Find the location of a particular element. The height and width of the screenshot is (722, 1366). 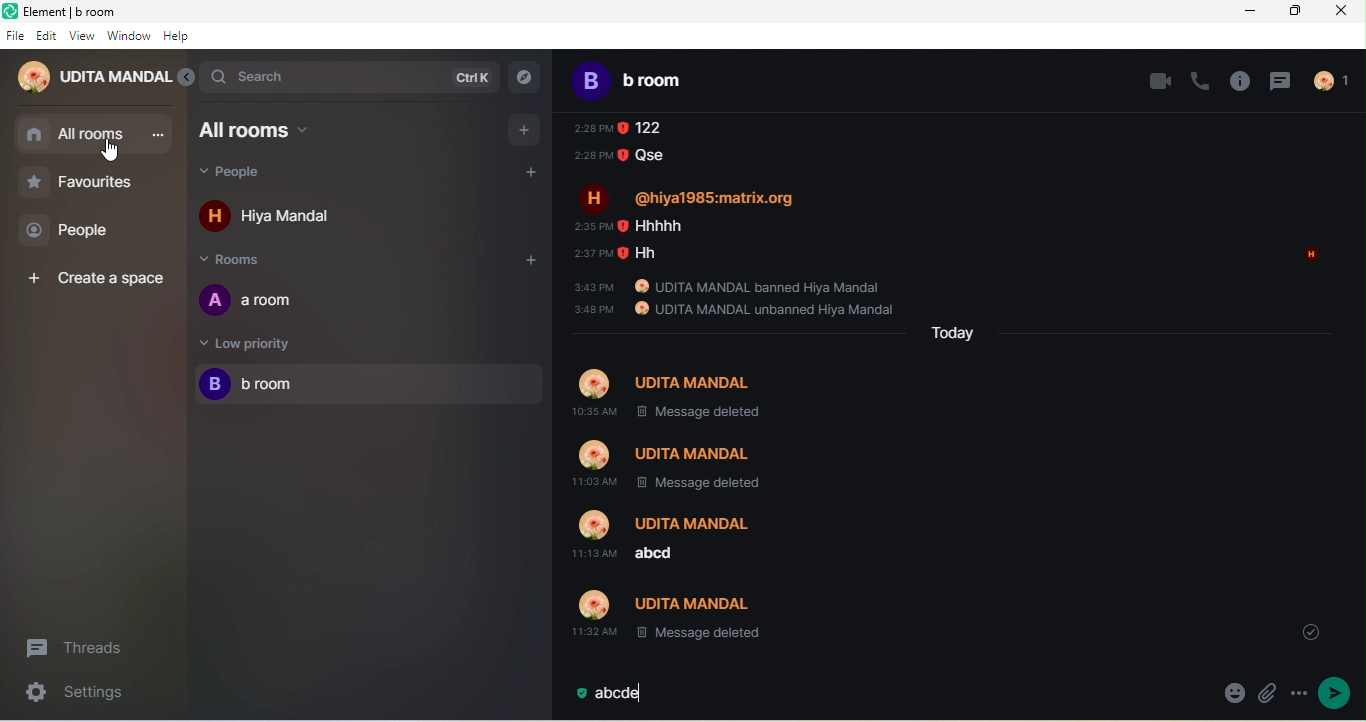

all rooms is located at coordinates (94, 134).